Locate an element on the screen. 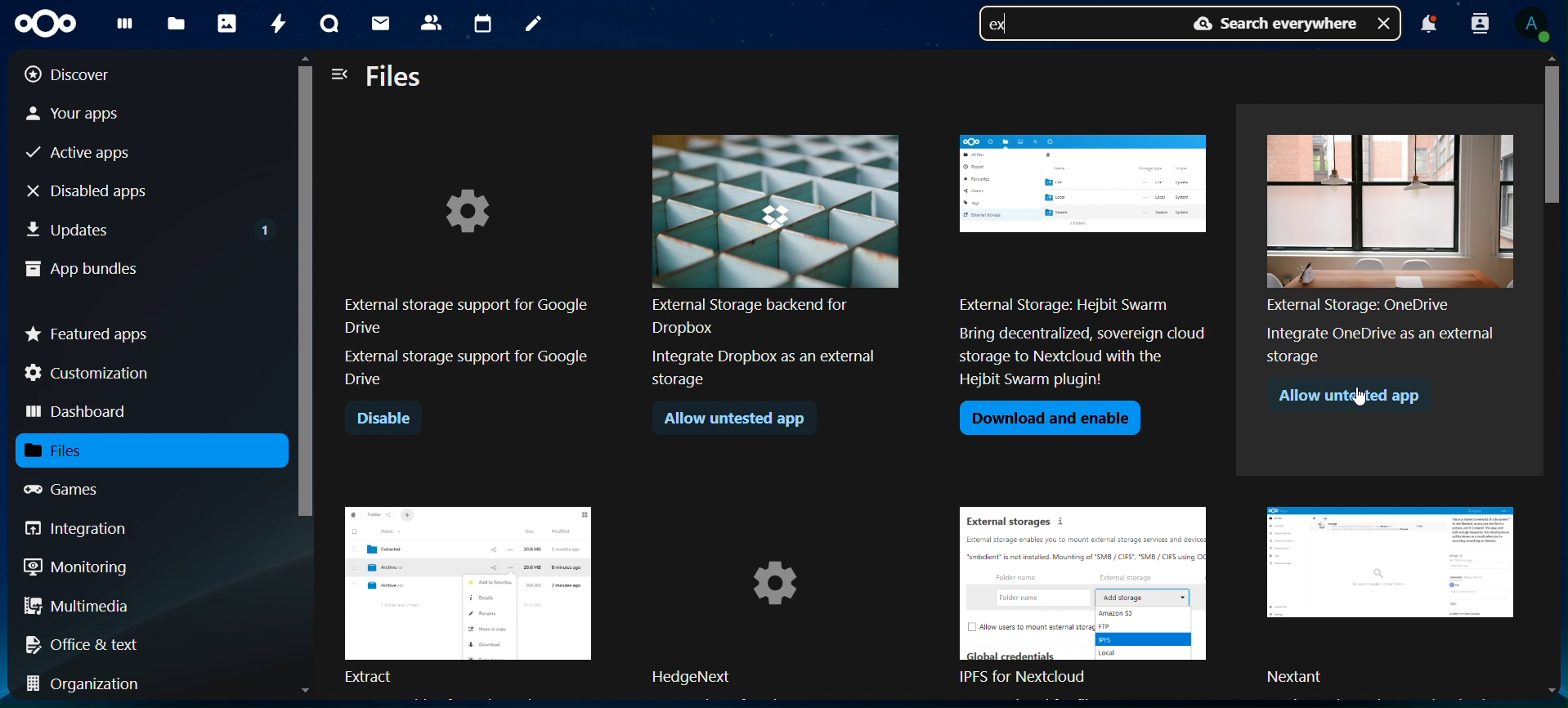 The image size is (1568, 708). active apps is located at coordinates (85, 154).